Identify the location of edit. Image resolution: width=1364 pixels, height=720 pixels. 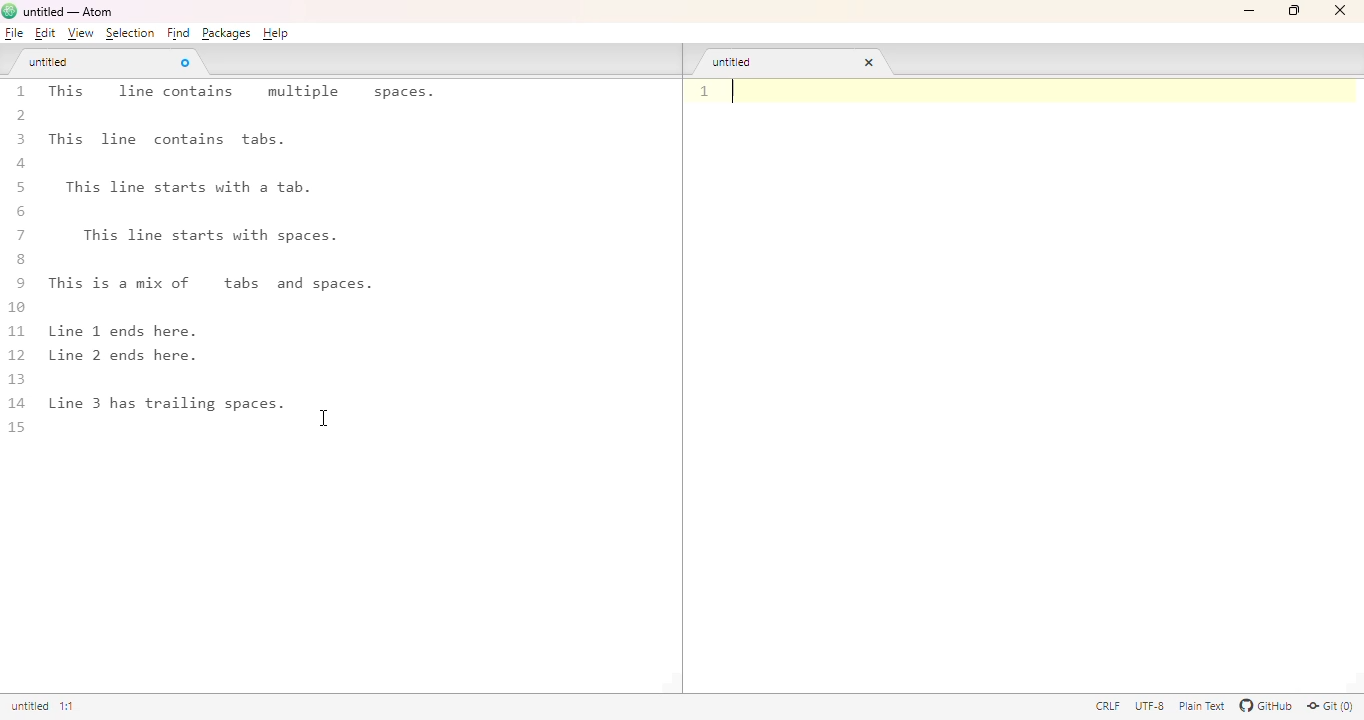
(45, 33).